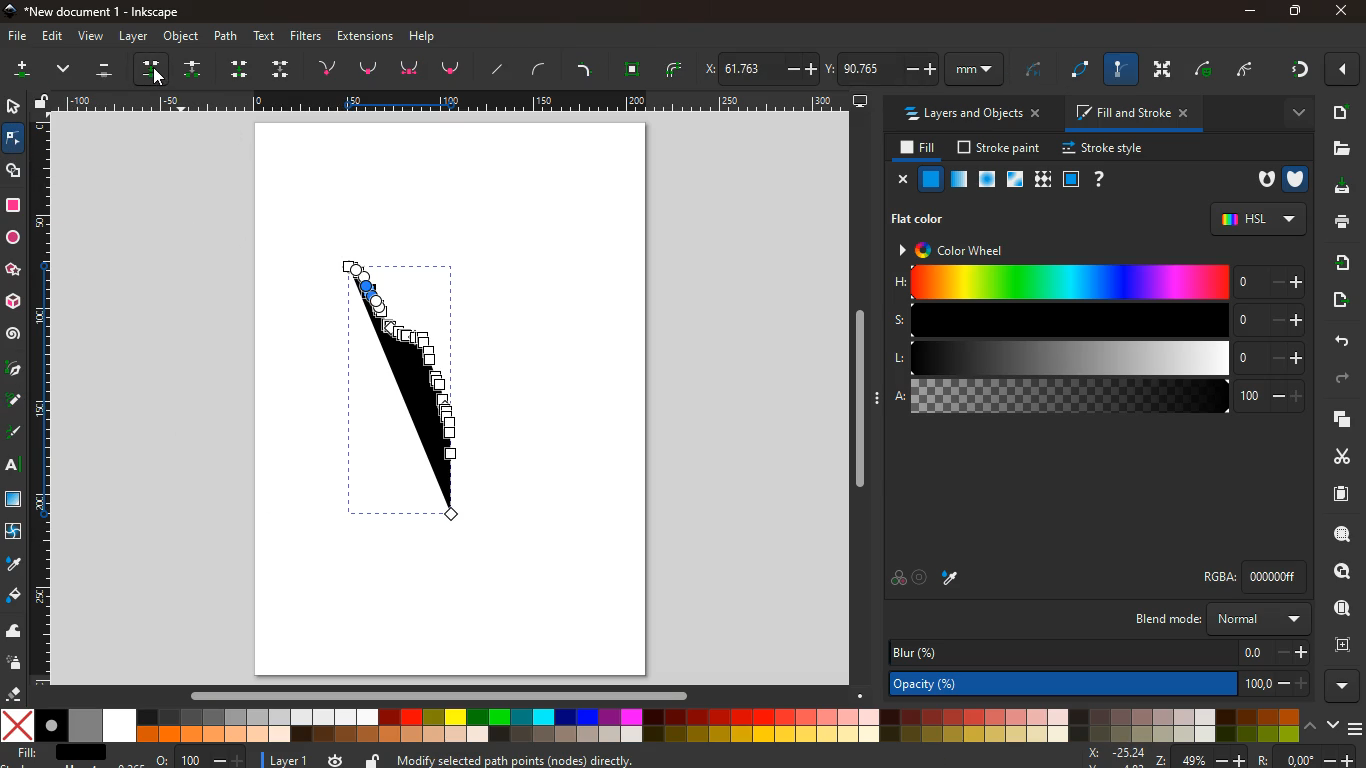  Describe the element at coordinates (1336, 340) in the screenshot. I see `back` at that location.